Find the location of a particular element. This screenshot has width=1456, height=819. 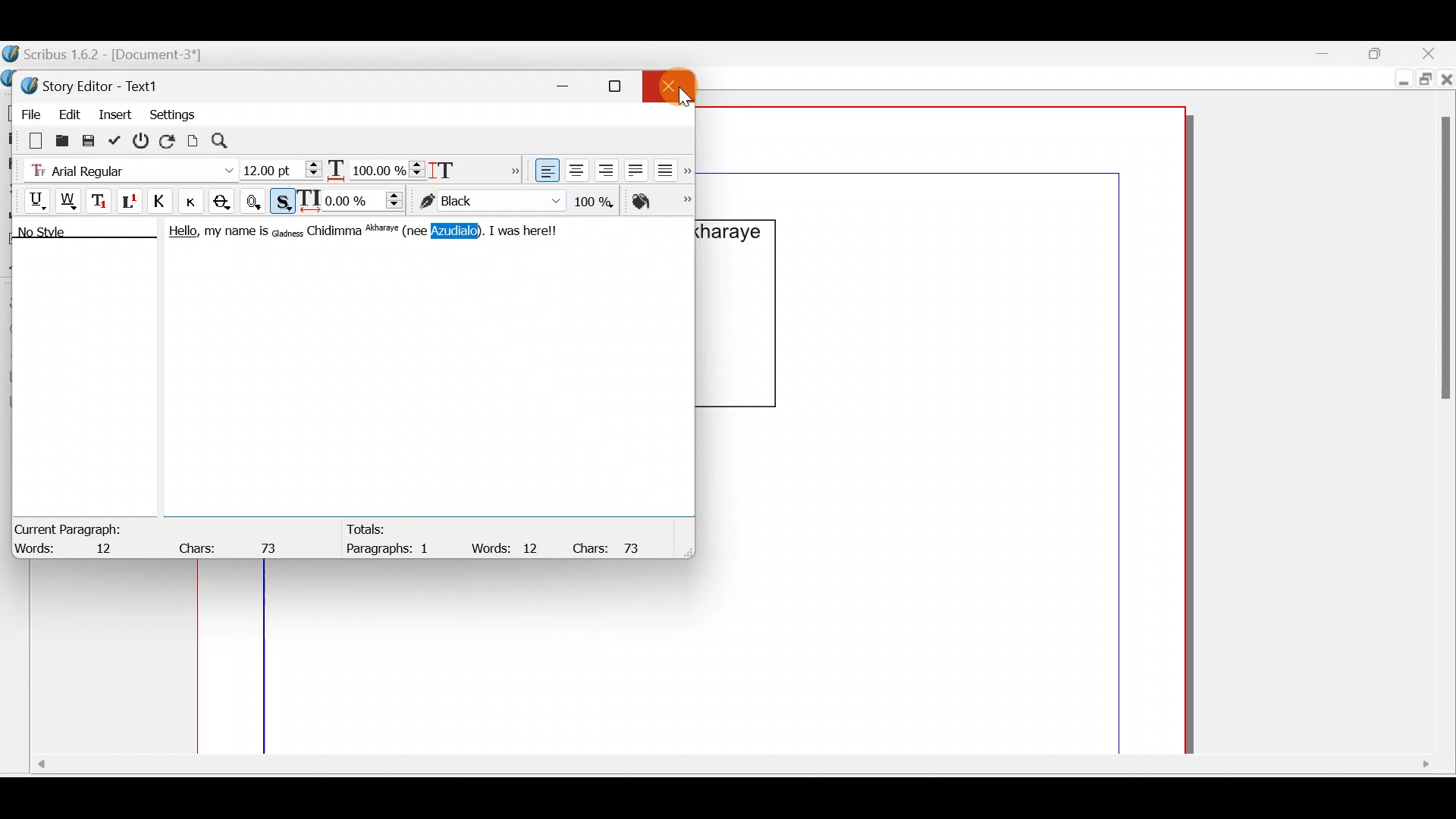

No style is located at coordinates (58, 234).